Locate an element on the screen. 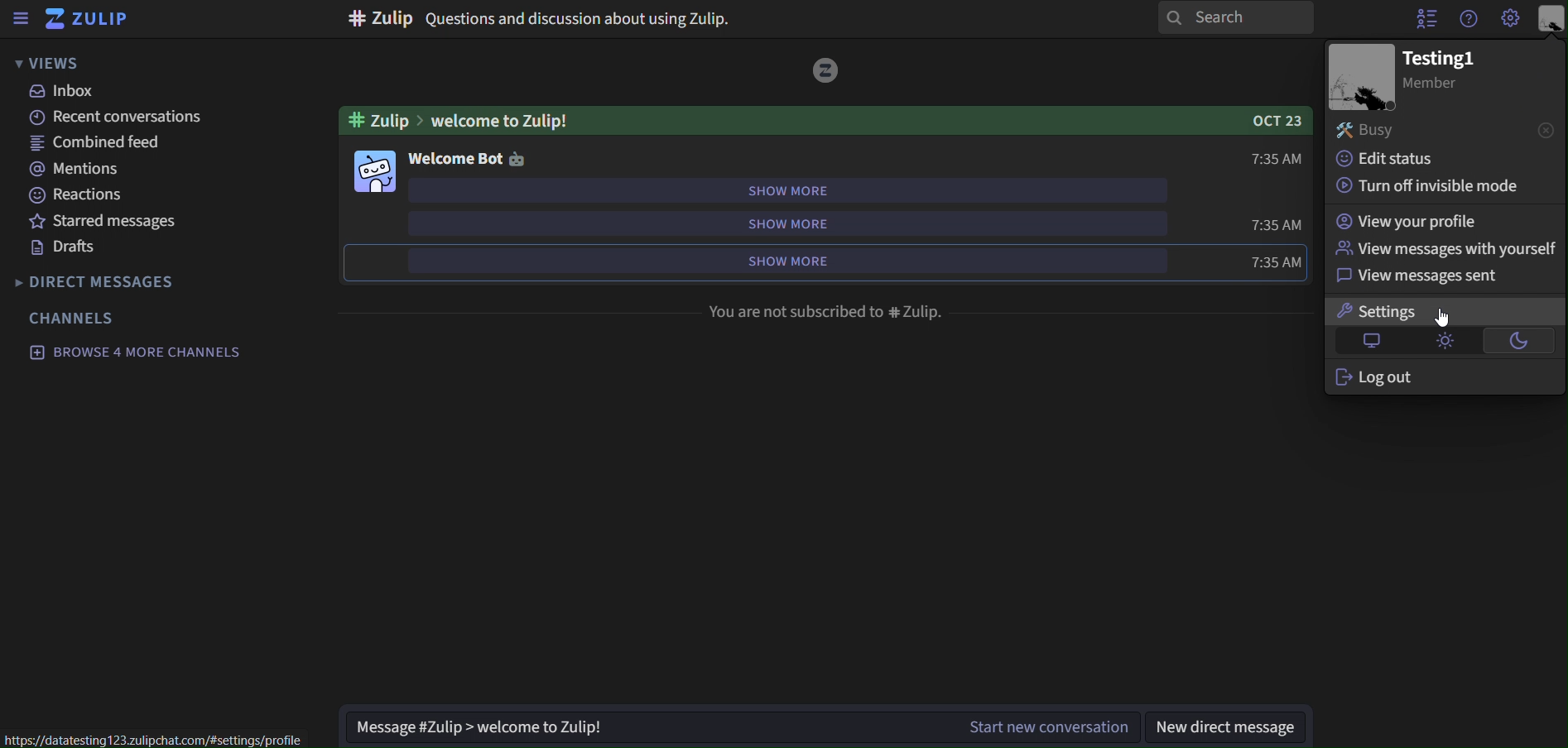 The width and height of the screenshot is (1568, 748). direct messages is located at coordinates (100, 280).